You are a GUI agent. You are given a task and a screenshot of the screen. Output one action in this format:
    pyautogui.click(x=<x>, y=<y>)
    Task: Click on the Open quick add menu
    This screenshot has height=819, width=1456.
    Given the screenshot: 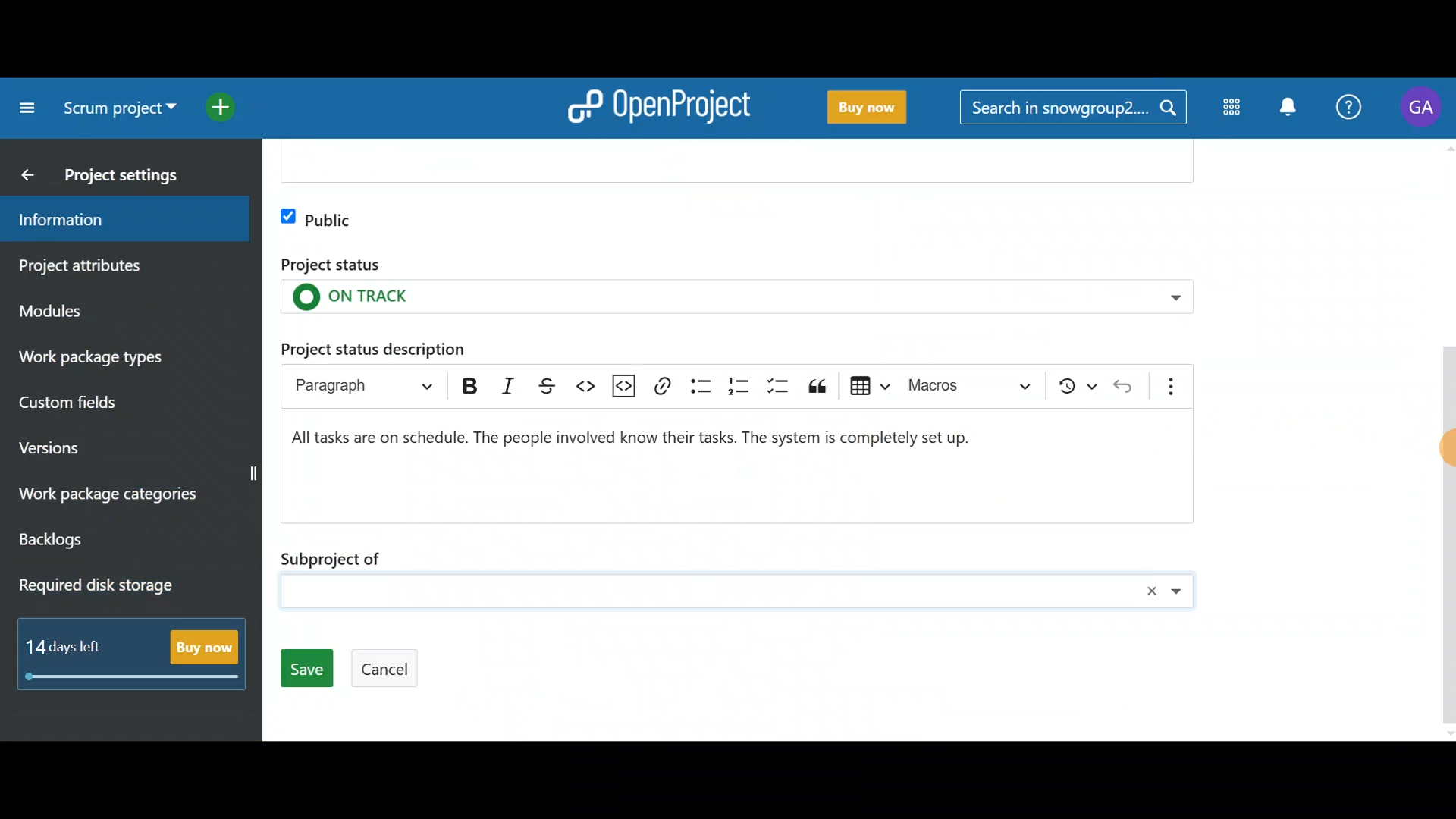 What is the action you would take?
    pyautogui.click(x=235, y=108)
    